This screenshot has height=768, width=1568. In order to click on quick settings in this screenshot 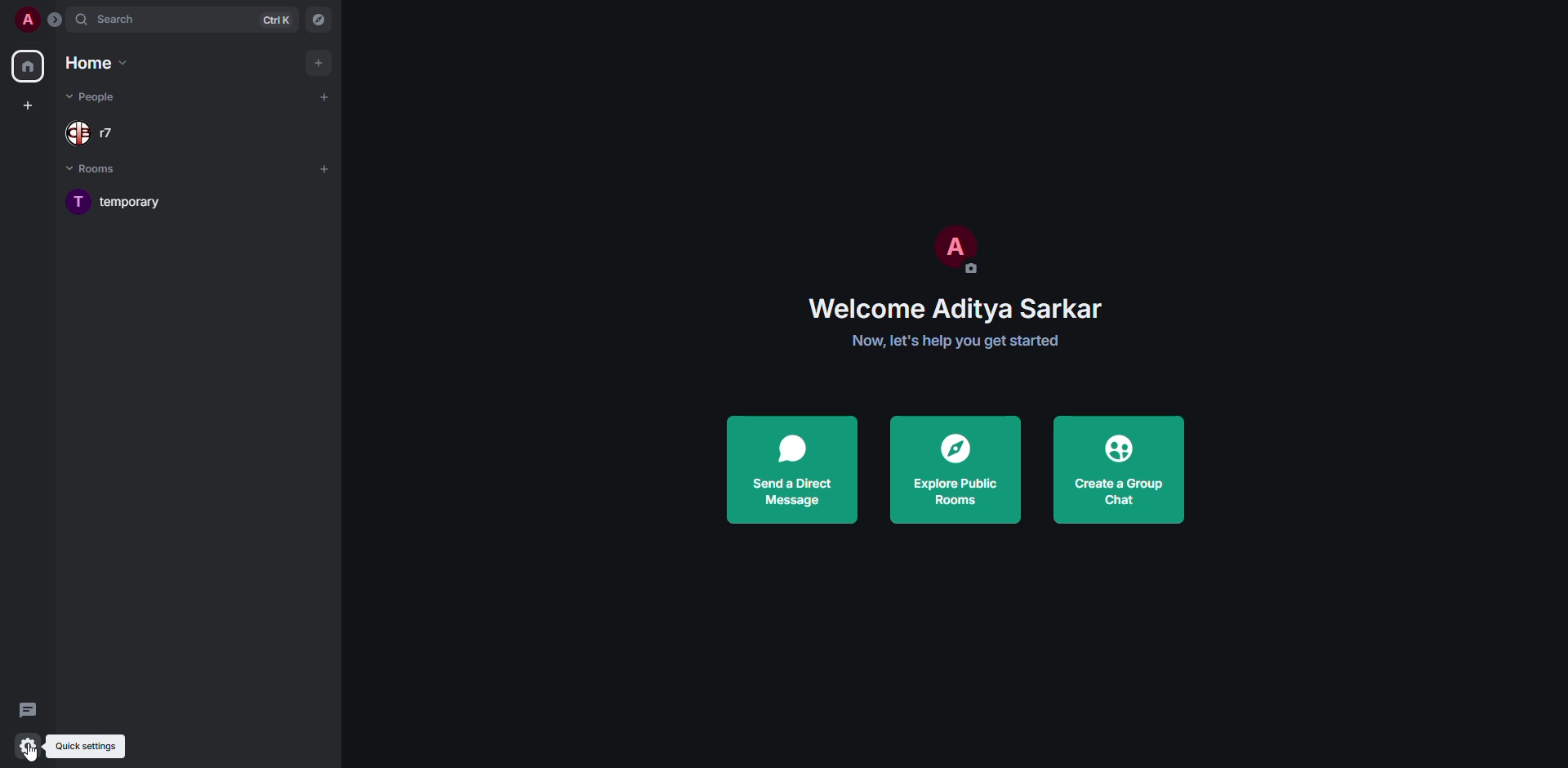, I will do `click(91, 745)`.